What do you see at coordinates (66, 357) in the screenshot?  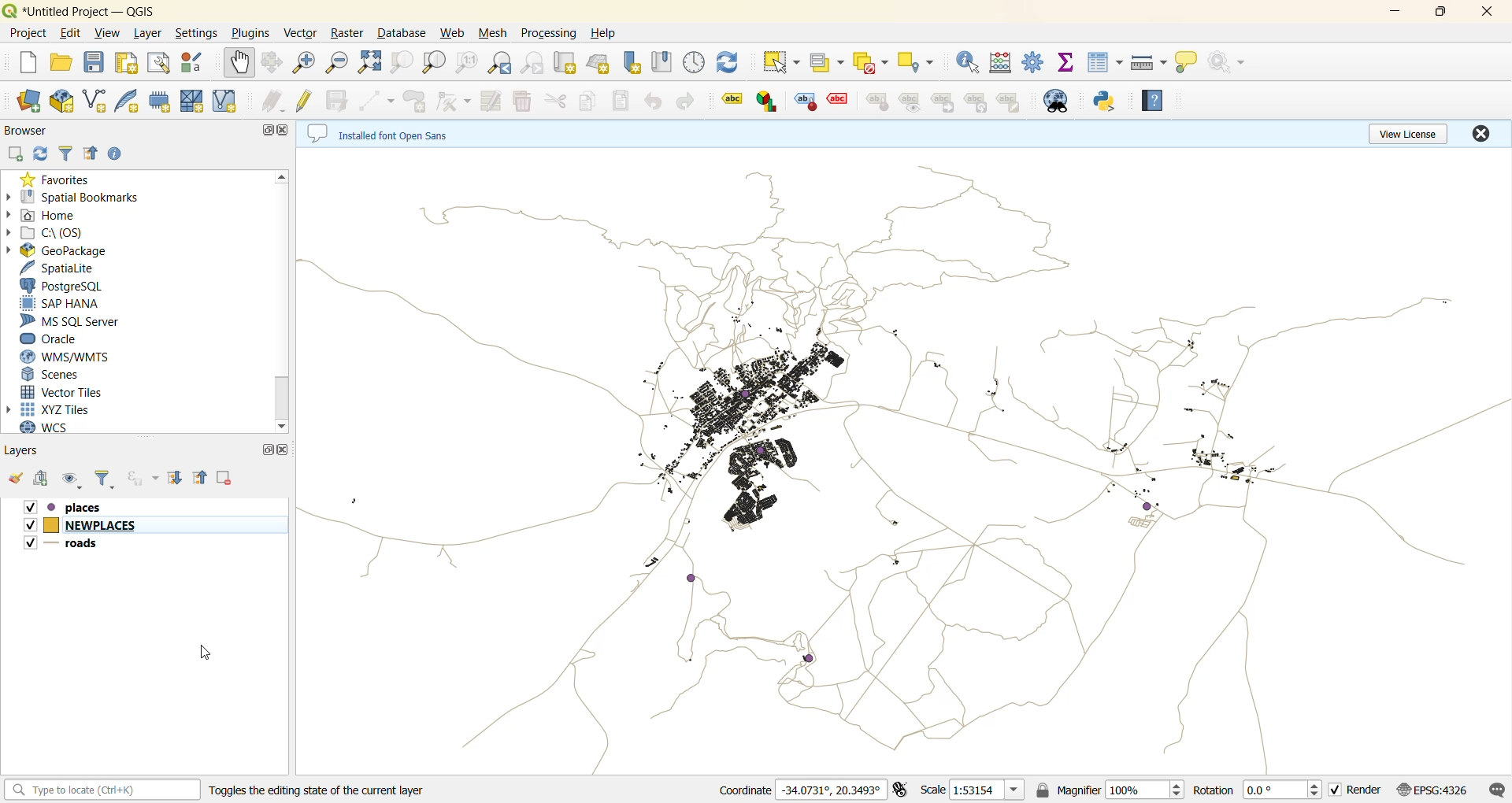 I see `wms/wmts` at bounding box center [66, 357].